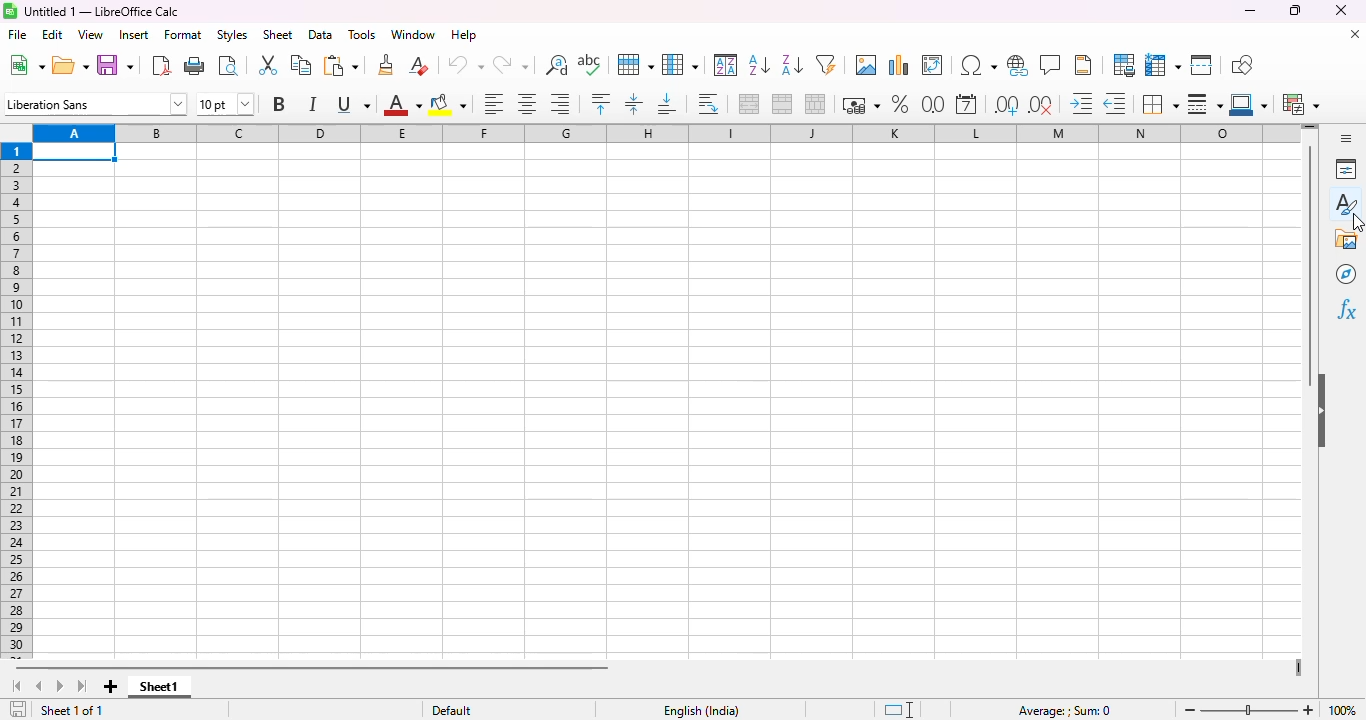  Describe the element at coordinates (1242, 65) in the screenshot. I see `show draw functions` at that location.